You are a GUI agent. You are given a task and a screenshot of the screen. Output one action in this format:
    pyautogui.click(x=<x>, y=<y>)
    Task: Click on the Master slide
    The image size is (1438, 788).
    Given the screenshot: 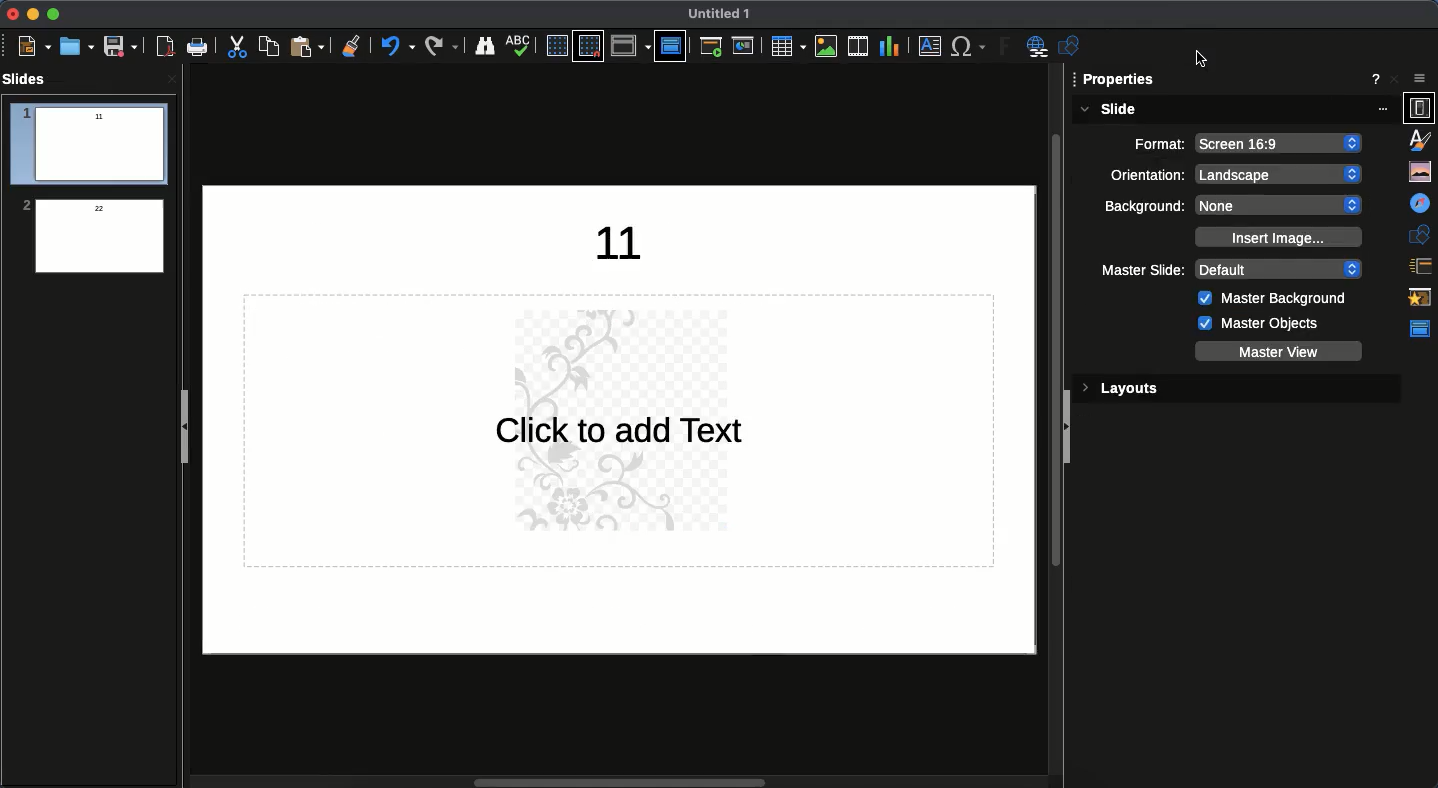 What is the action you would take?
    pyautogui.click(x=670, y=45)
    